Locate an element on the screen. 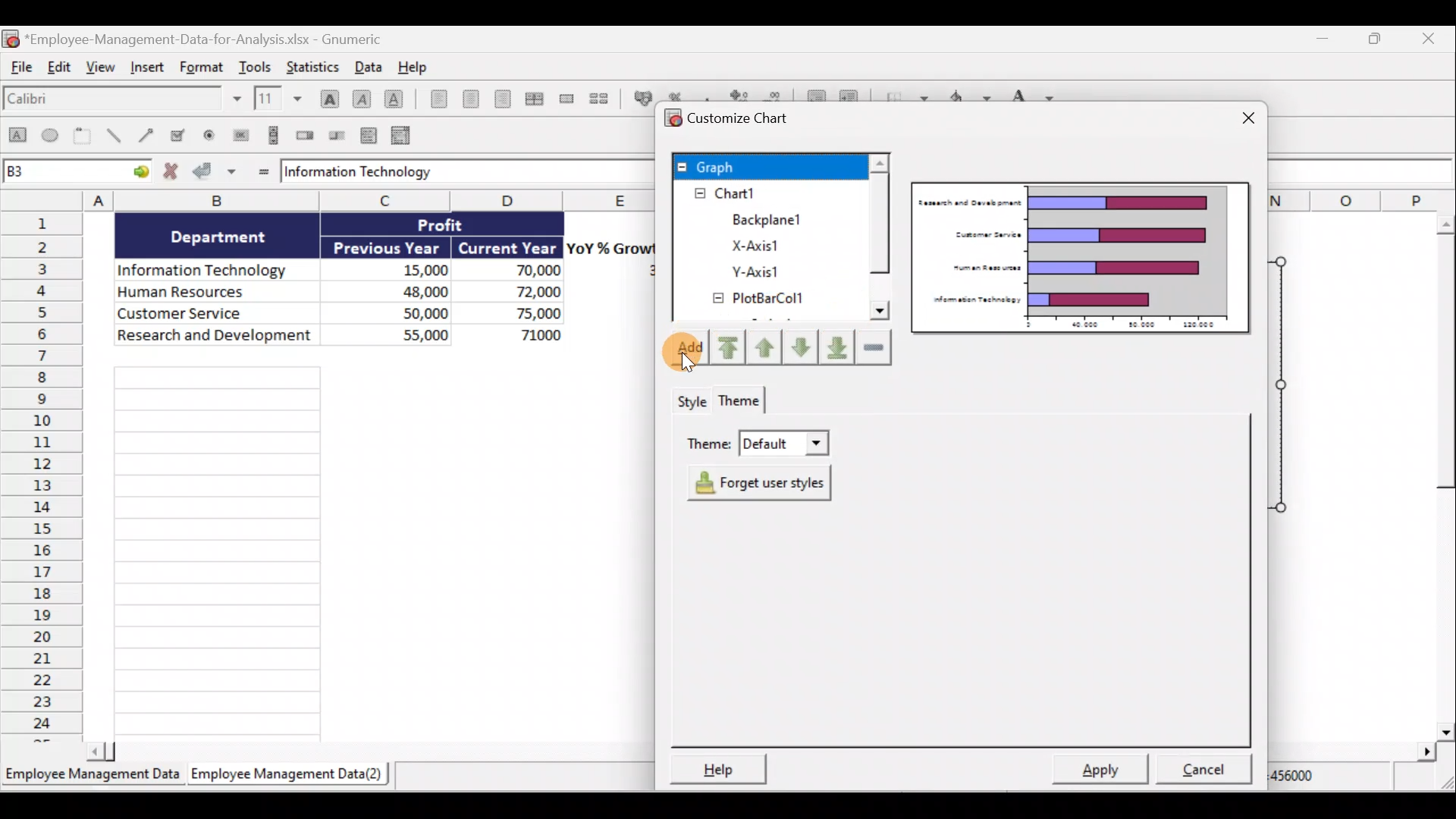 The height and width of the screenshot is (819, 1456). Create an ellipse object is located at coordinates (51, 134).